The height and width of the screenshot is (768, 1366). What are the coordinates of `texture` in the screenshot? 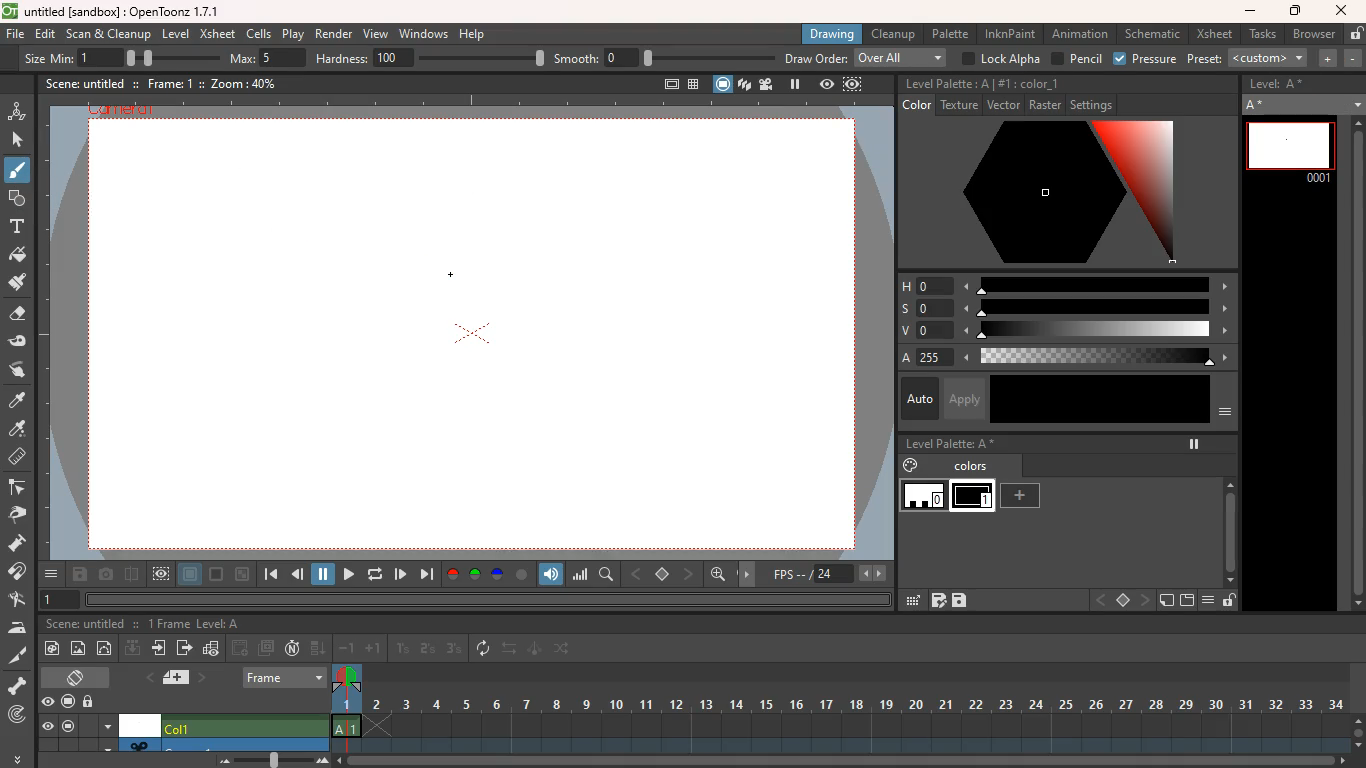 It's located at (959, 106).